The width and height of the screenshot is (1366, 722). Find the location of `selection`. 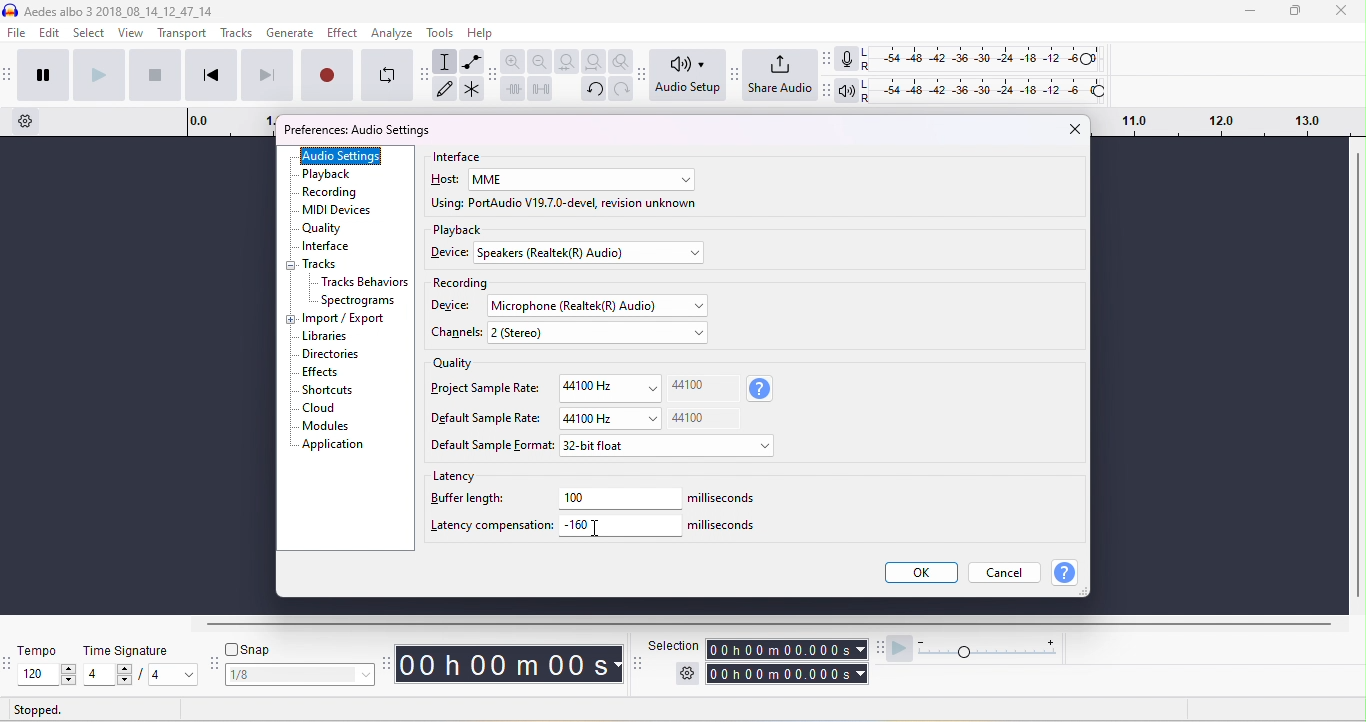

selection is located at coordinates (673, 646).